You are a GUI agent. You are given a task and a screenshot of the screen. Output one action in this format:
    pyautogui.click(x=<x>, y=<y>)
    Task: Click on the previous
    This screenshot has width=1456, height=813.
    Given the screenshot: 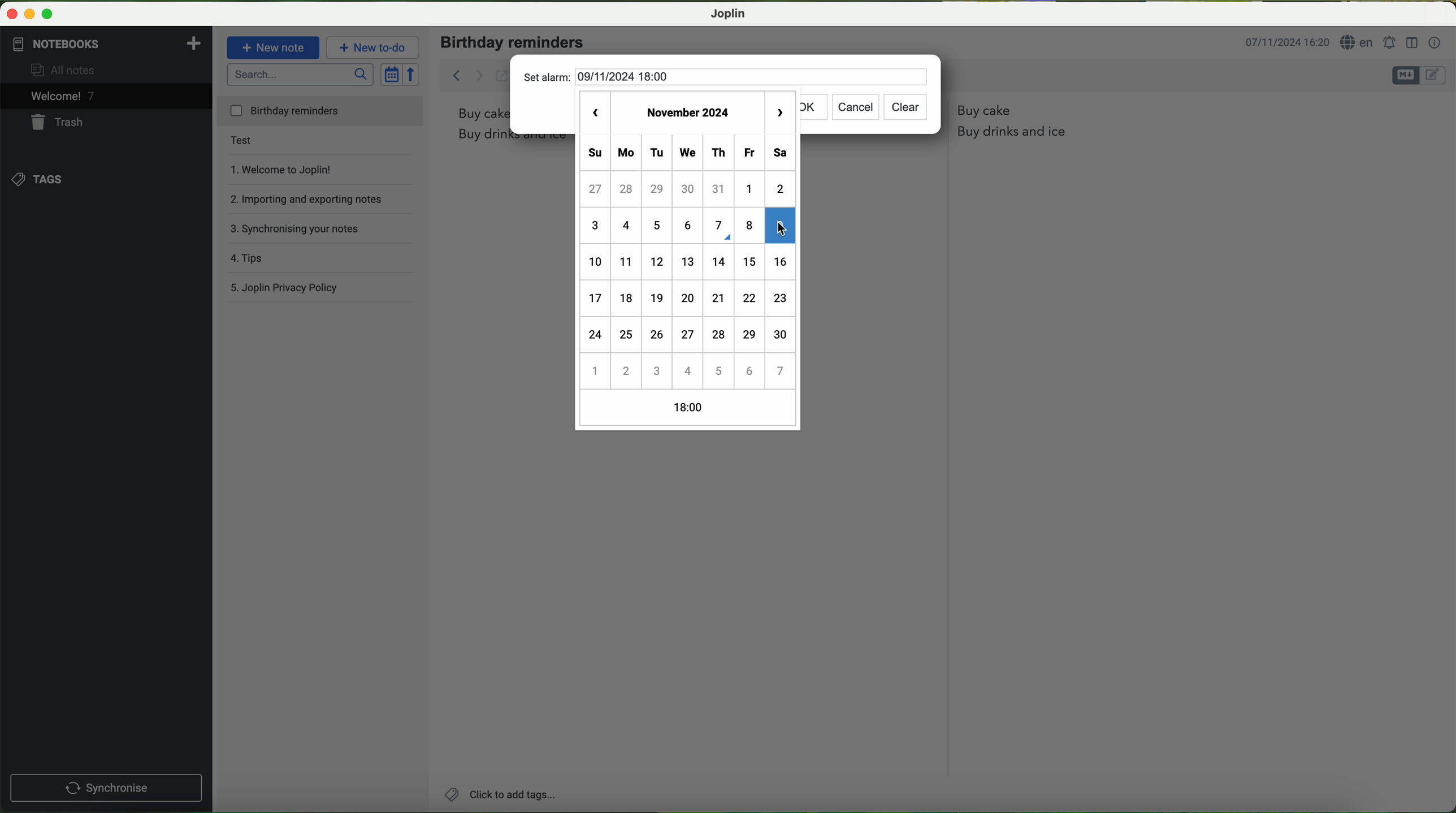 What is the action you would take?
    pyautogui.click(x=581, y=109)
    